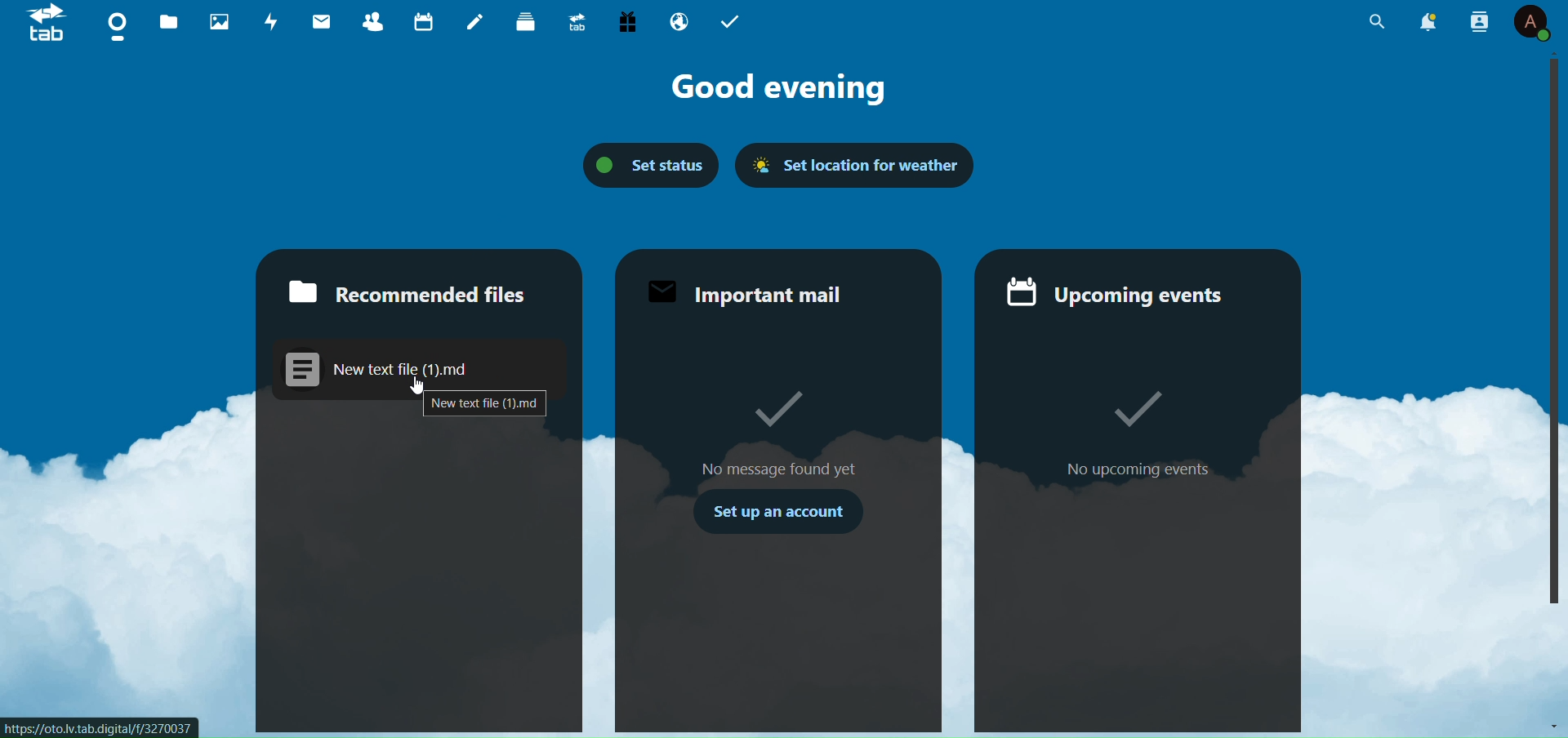  What do you see at coordinates (45, 28) in the screenshot?
I see `logo` at bounding box center [45, 28].